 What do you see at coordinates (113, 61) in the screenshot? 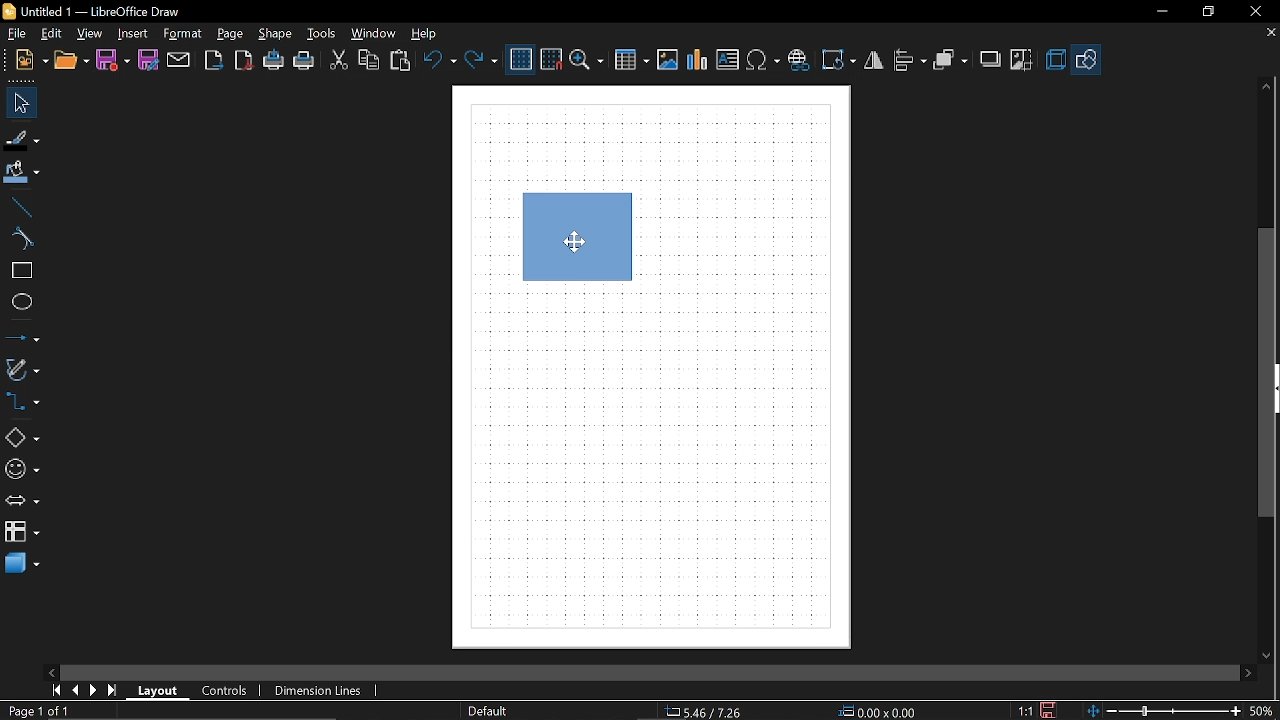
I see `Save` at bounding box center [113, 61].